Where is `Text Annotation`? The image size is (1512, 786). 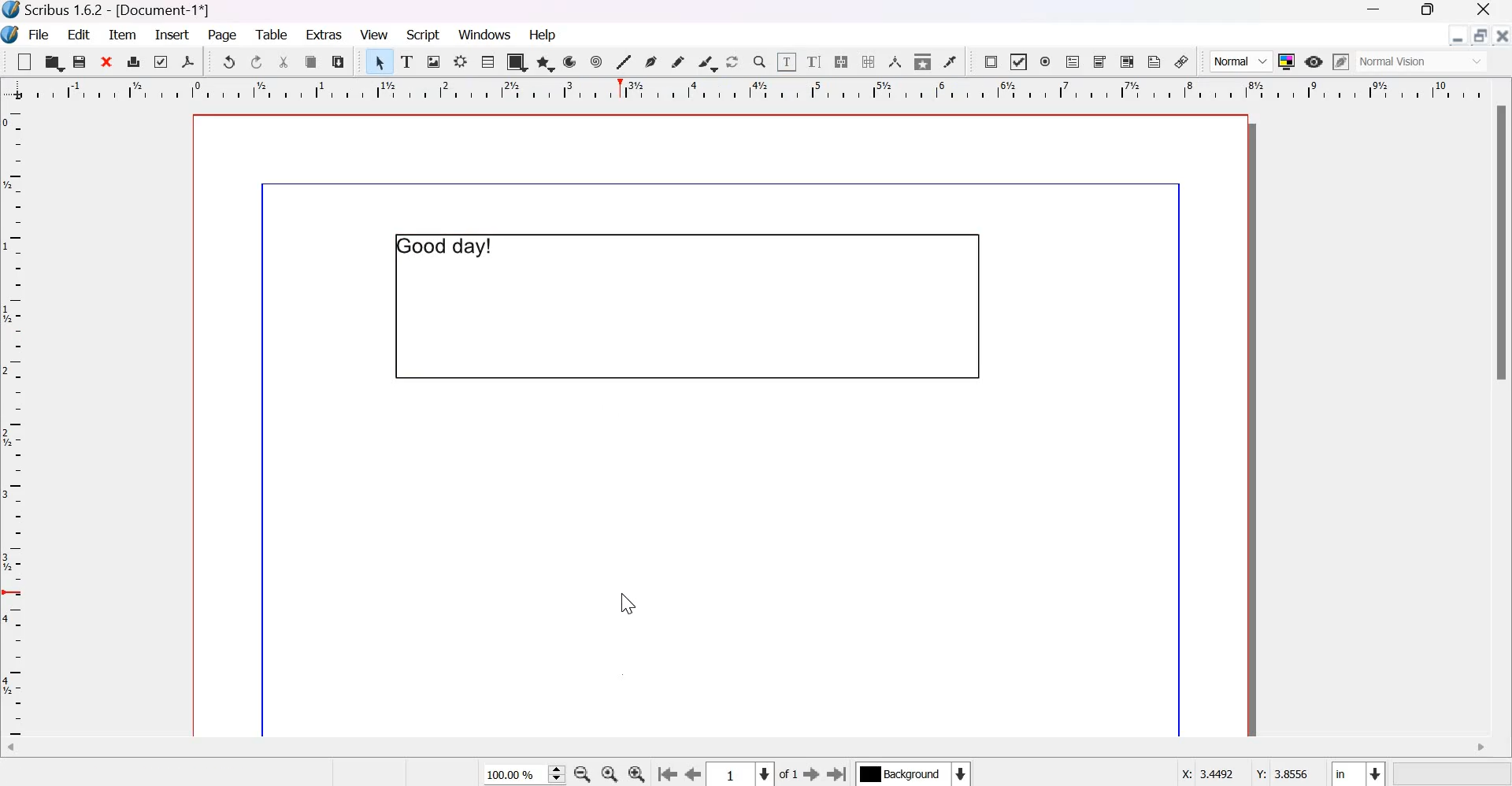
Text Annotation is located at coordinates (1154, 61).